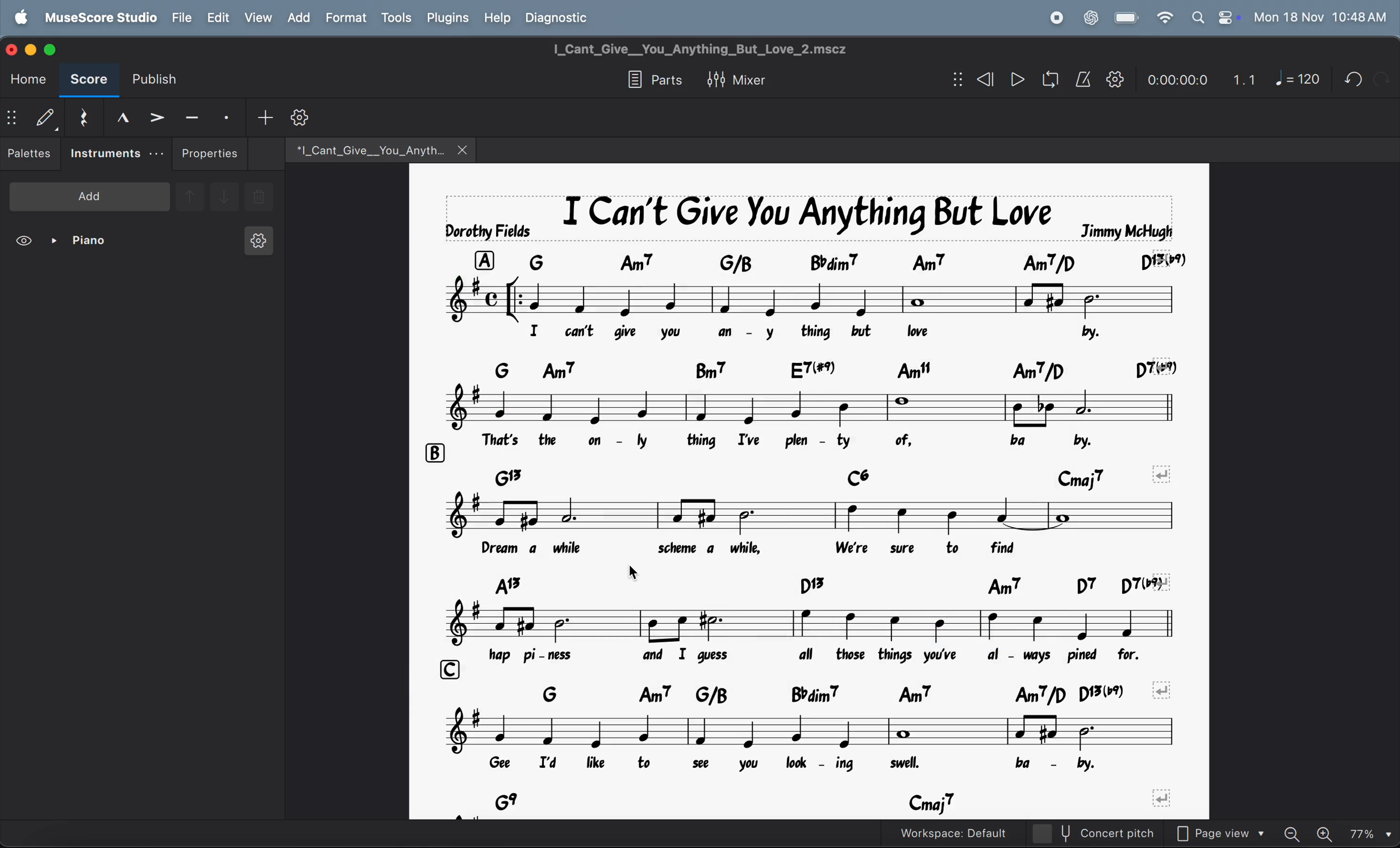  Describe the element at coordinates (45, 117) in the screenshot. I see `display` at that location.